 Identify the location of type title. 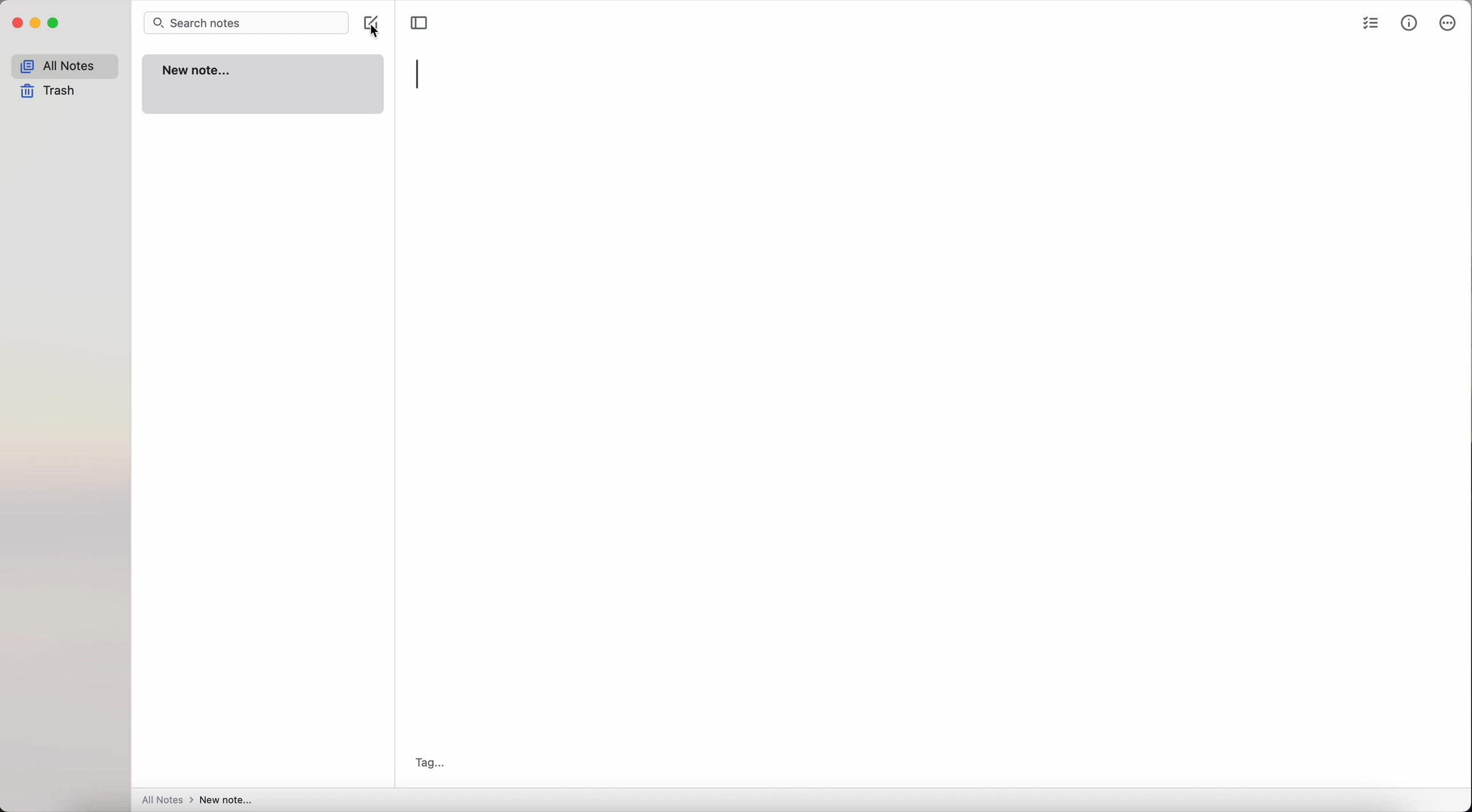
(419, 74).